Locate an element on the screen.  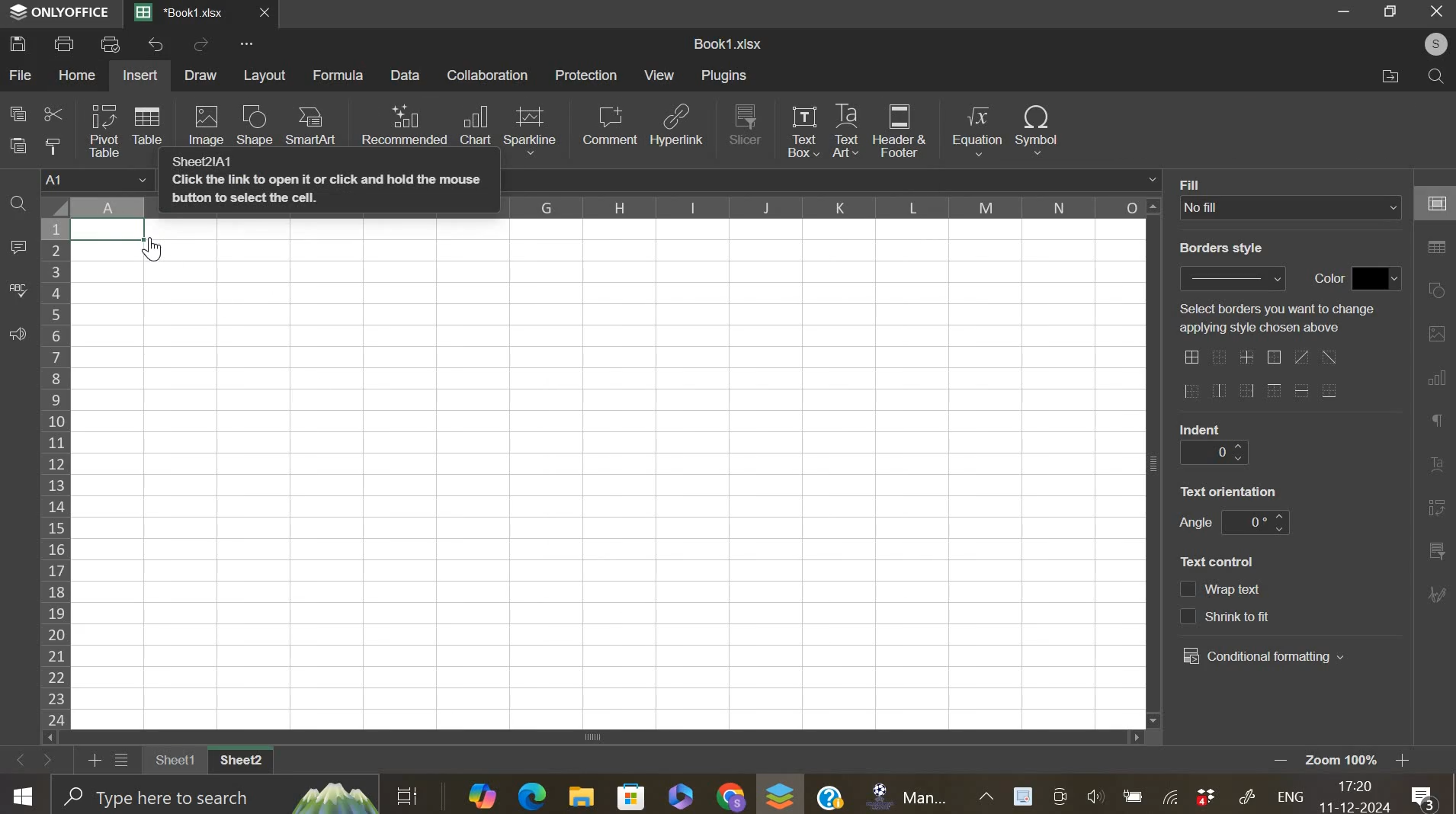
list sheets is located at coordinates (126, 761).